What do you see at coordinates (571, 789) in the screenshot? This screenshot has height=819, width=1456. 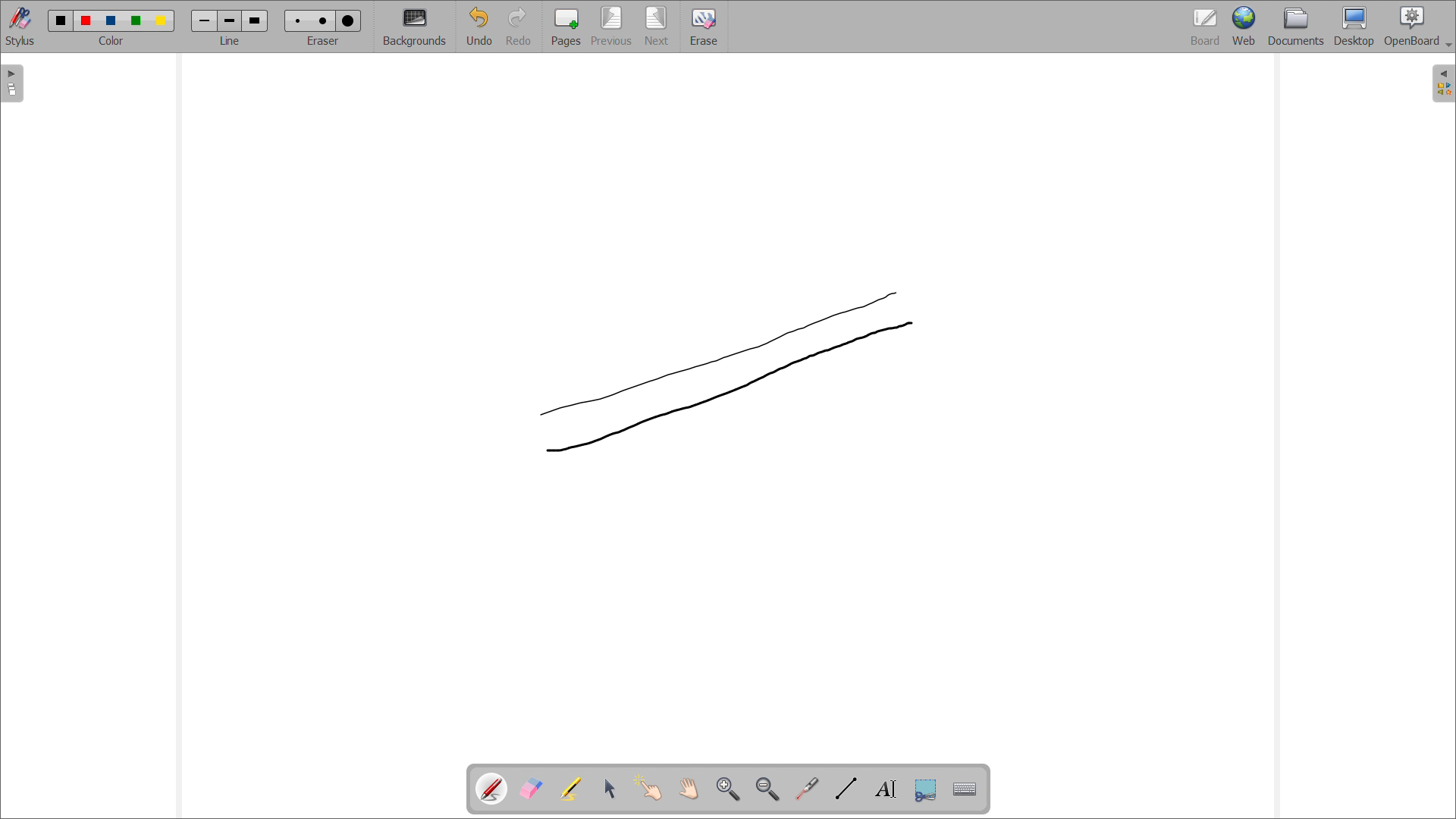 I see `highlights` at bounding box center [571, 789].